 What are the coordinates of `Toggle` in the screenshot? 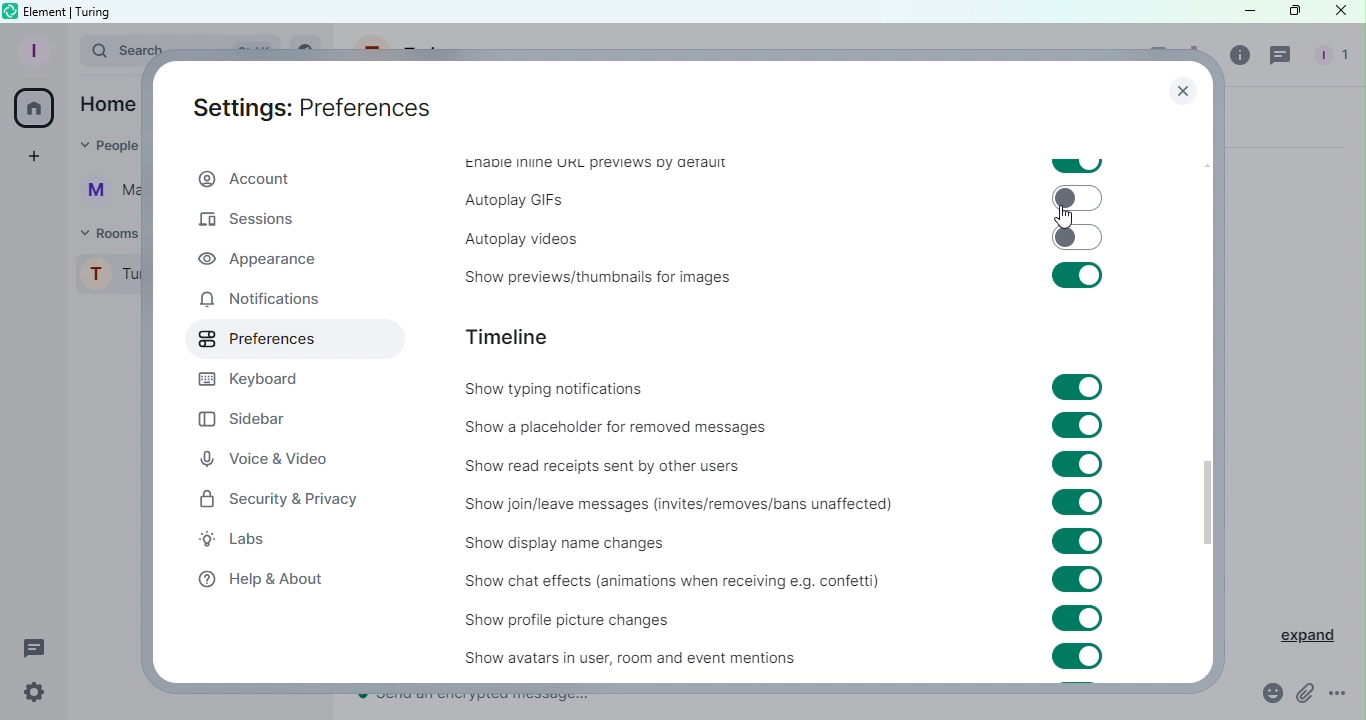 It's located at (1078, 543).